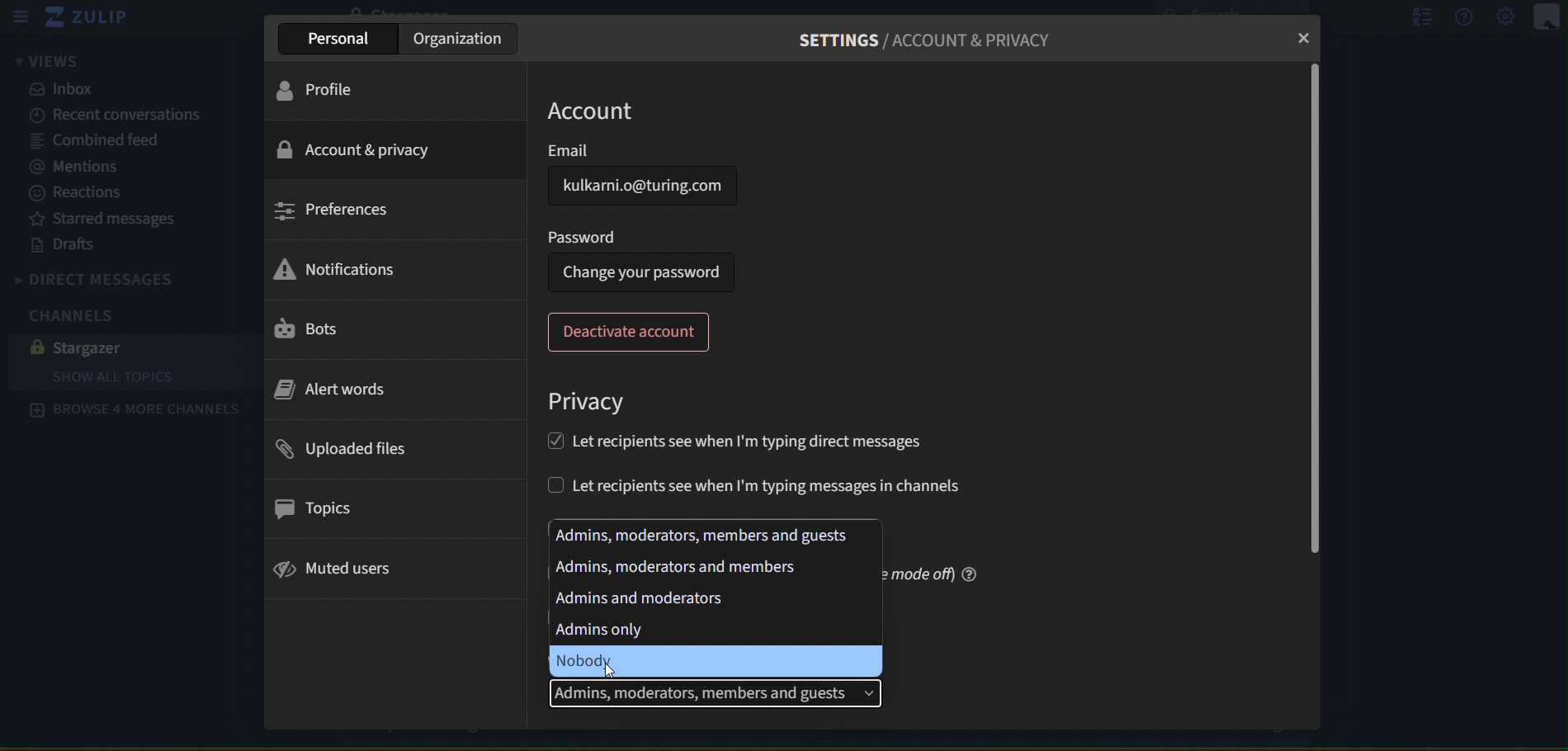 The image size is (1568, 751). I want to click on deactivate account, so click(631, 332).